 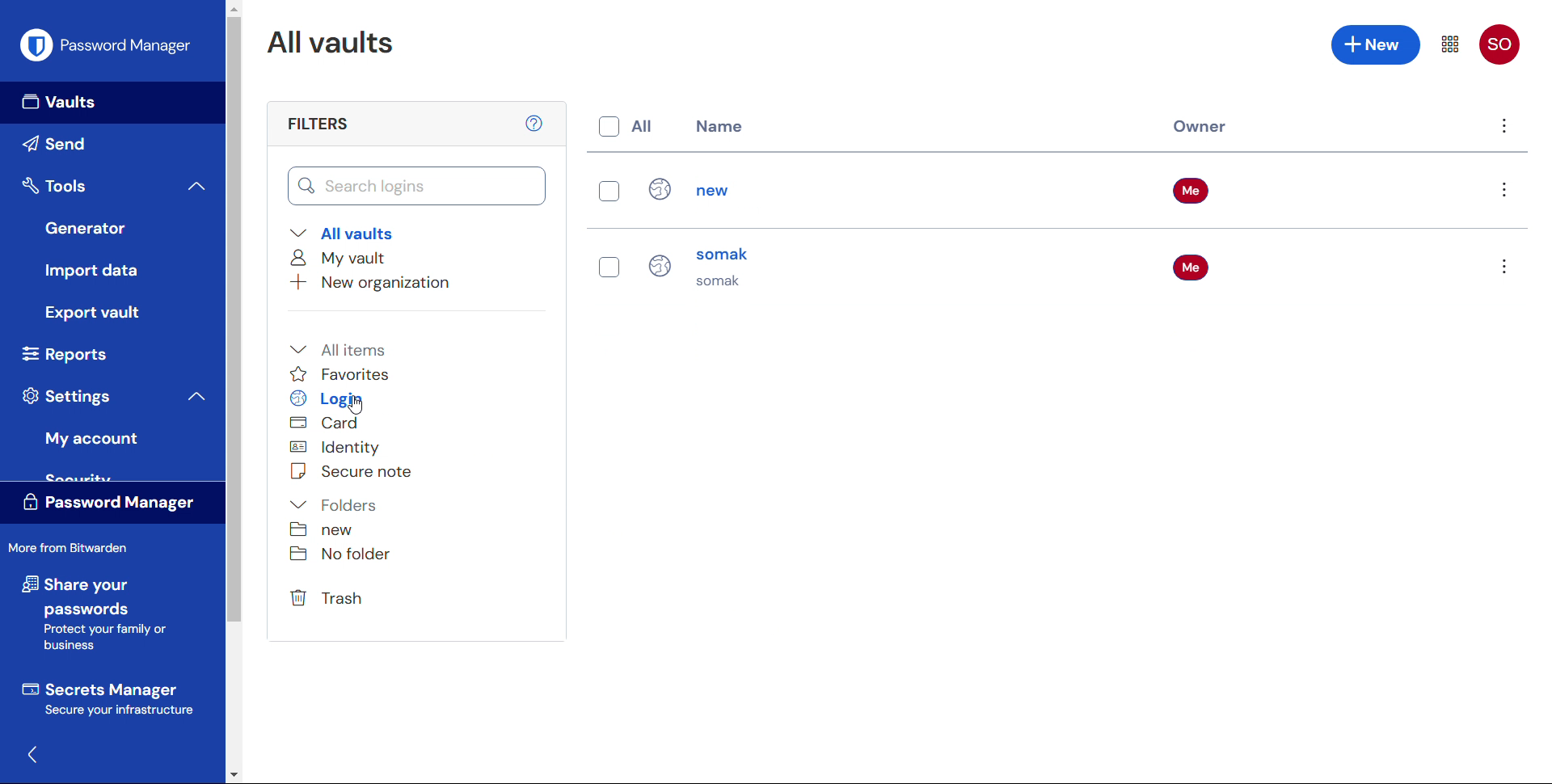 What do you see at coordinates (658, 189) in the screenshot?
I see `Login` at bounding box center [658, 189].